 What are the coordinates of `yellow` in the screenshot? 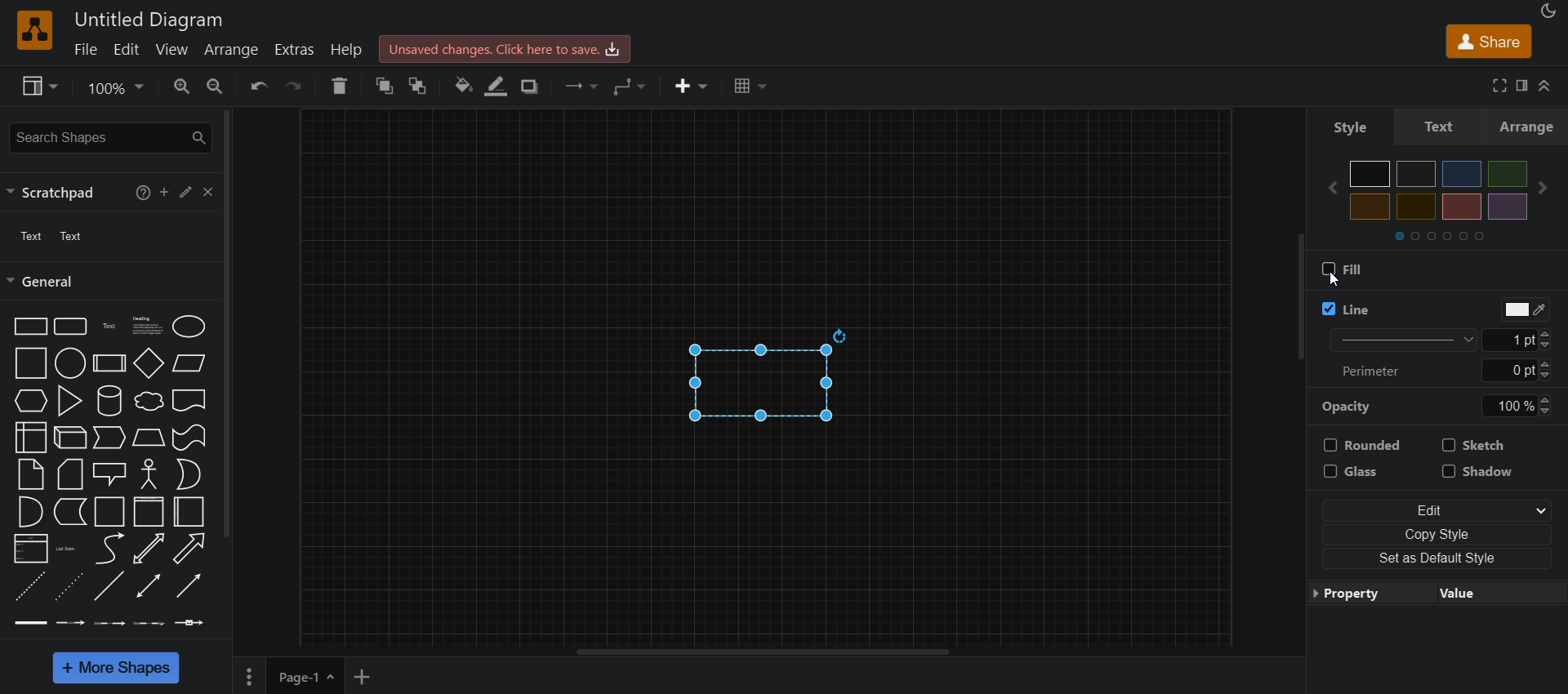 It's located at (1463, 207).